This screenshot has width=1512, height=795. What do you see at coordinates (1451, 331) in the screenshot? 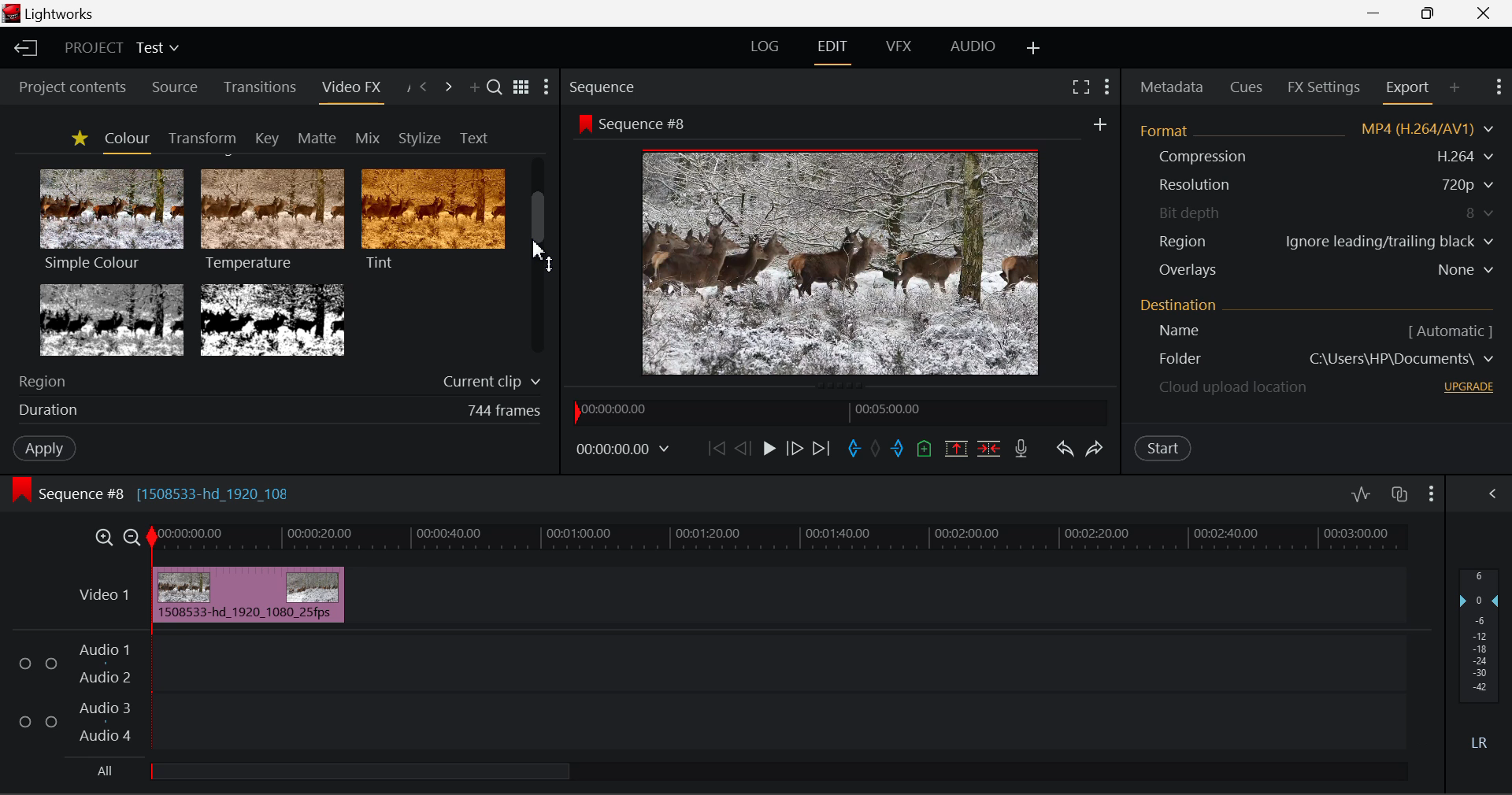
I see `[ Automatic ]` at bounding box center [1451, 331].